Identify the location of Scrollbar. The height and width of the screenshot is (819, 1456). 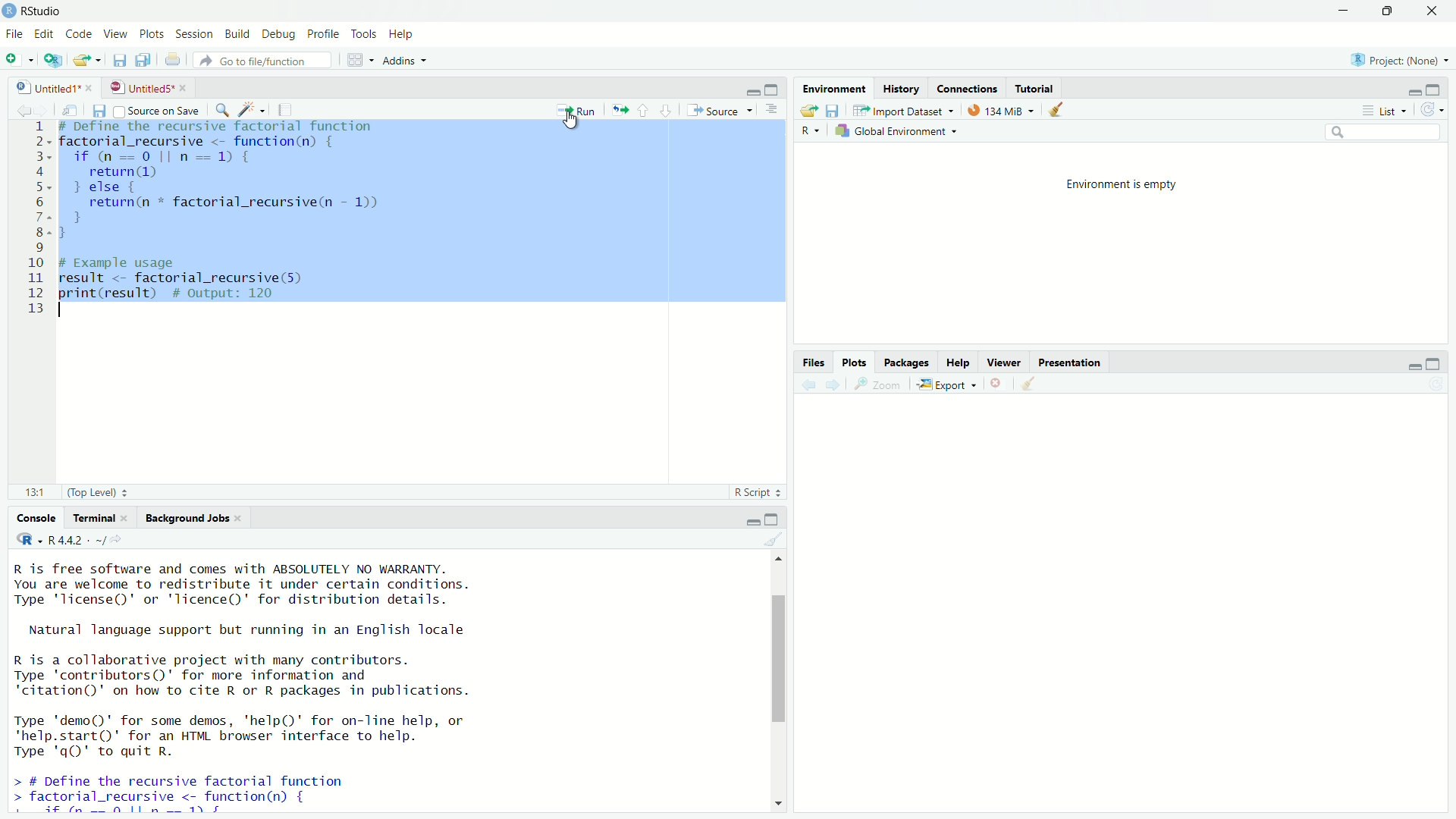
(781, 695).